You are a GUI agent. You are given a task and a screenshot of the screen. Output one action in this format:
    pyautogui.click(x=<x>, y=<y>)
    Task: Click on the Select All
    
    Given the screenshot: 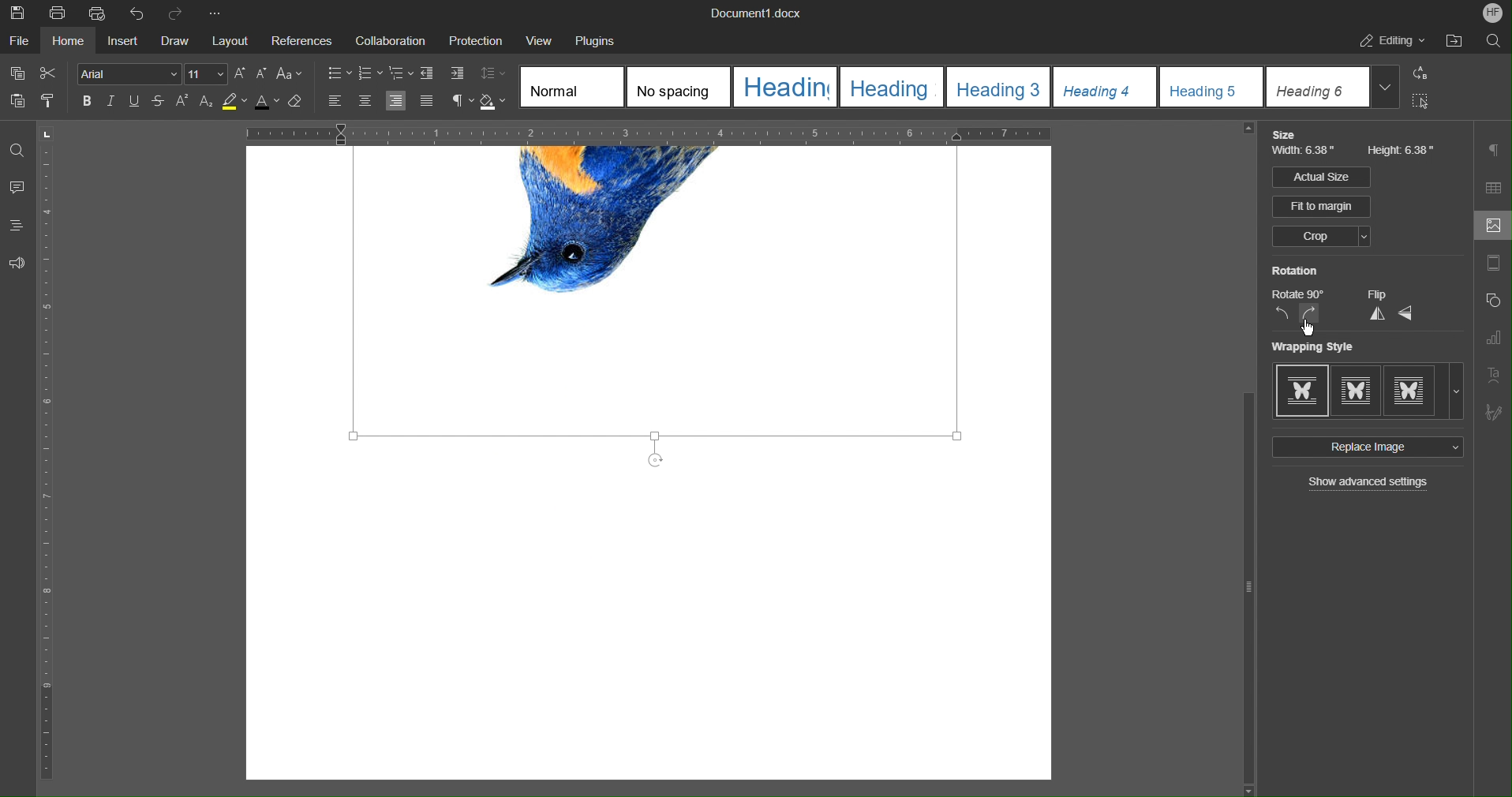 What is the action you would take?
    pyautogui.click(x=1417, y=101)
    